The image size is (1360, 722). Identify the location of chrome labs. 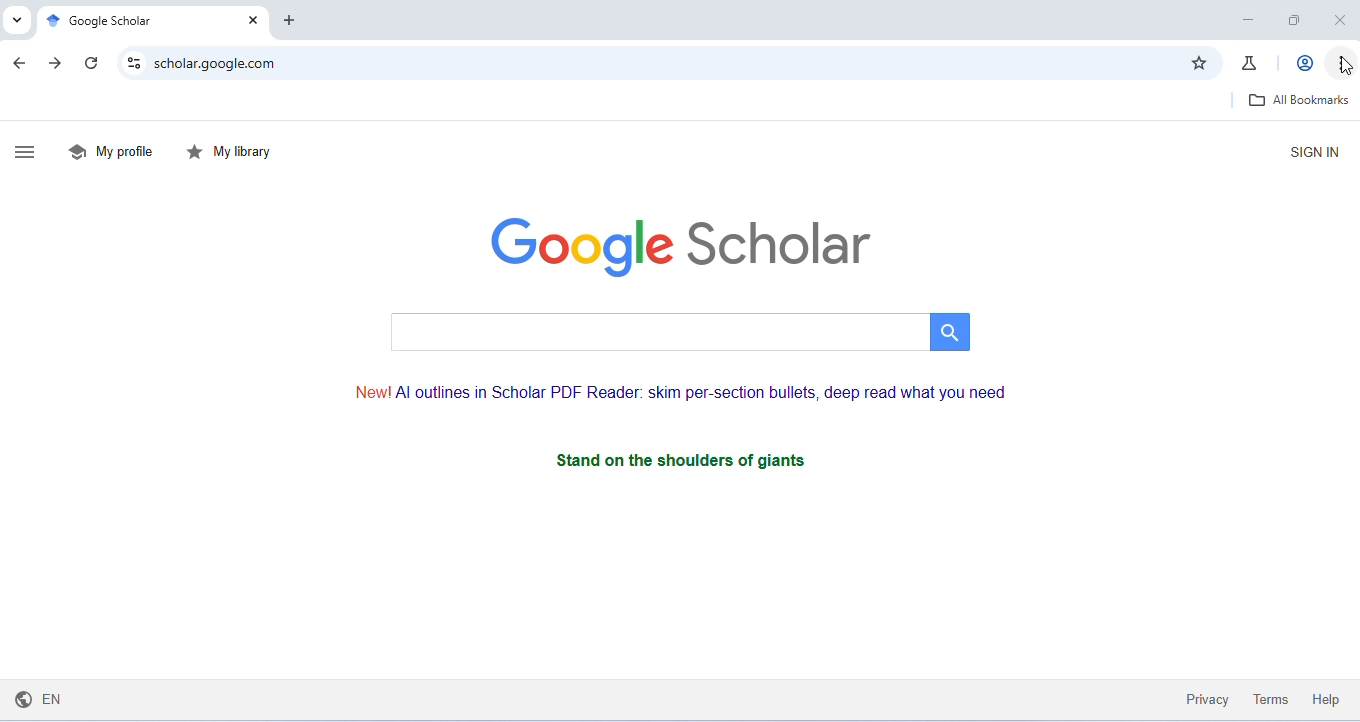
(1252, 63).